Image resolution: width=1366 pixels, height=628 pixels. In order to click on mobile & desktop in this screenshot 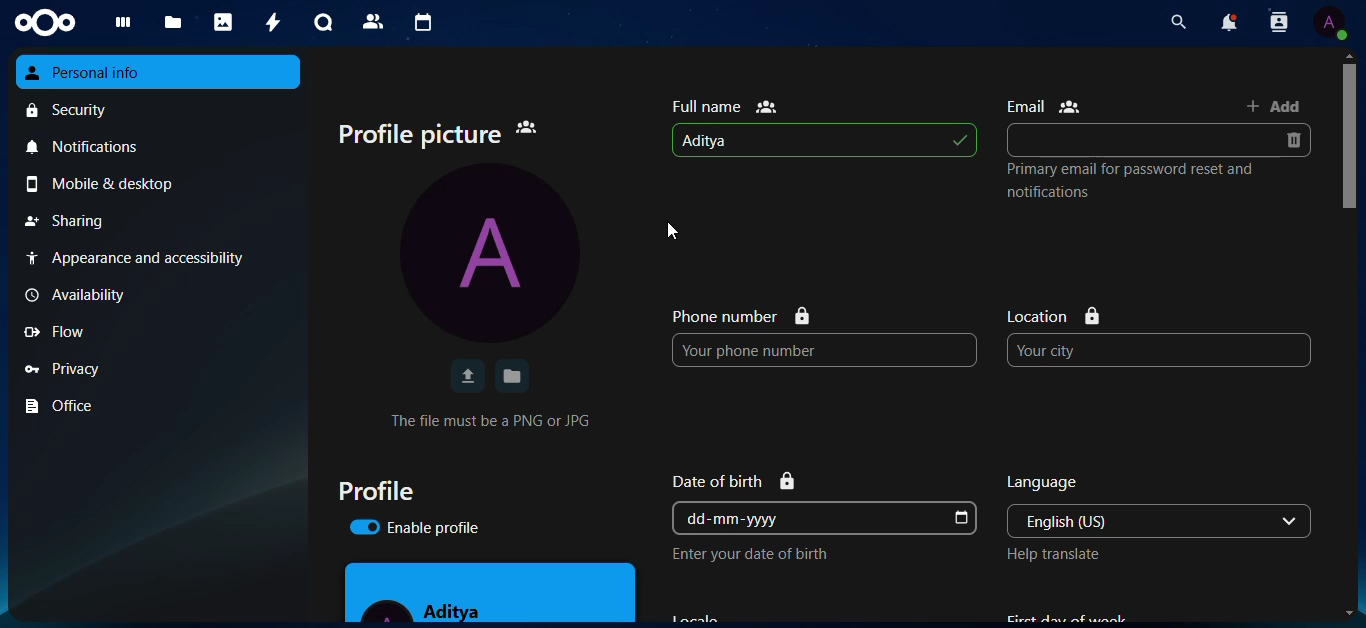, I will do `click(161, 184)`.